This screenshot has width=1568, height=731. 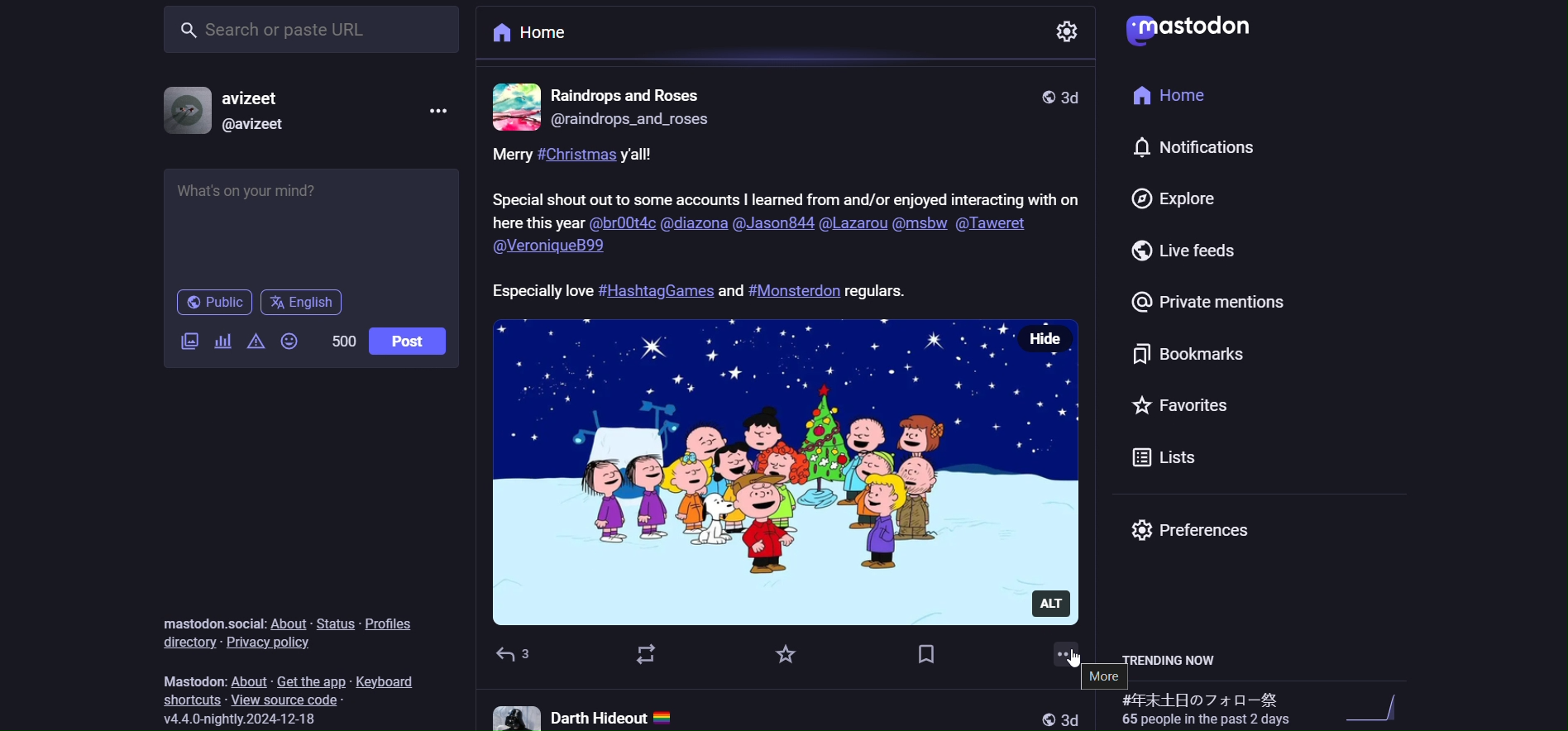 I want to click on trending hashtags, so click(x=1210, y=709).